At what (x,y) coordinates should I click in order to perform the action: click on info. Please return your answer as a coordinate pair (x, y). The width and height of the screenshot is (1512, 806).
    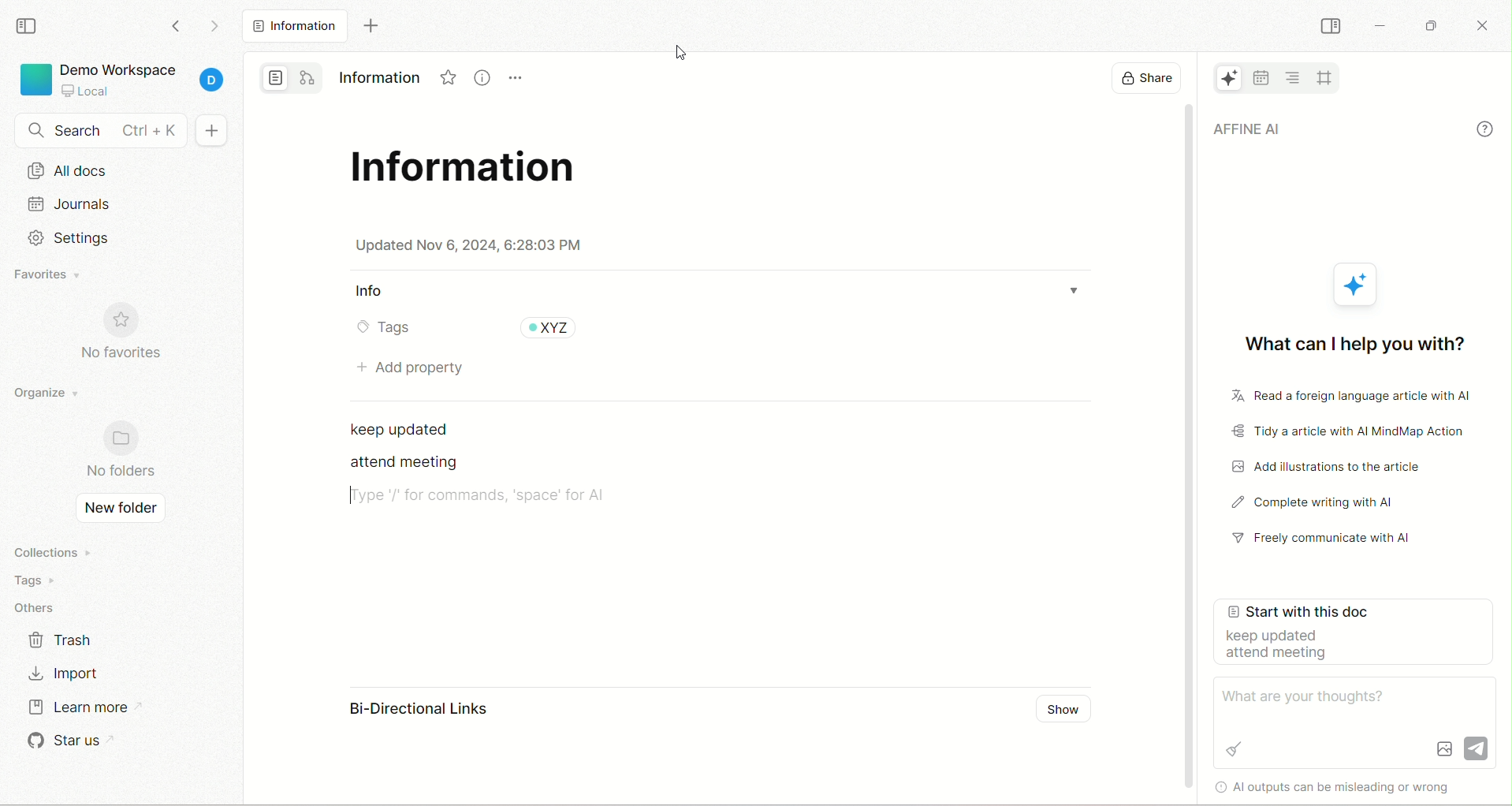
    Looking at the image, I should click on (1485, 128).